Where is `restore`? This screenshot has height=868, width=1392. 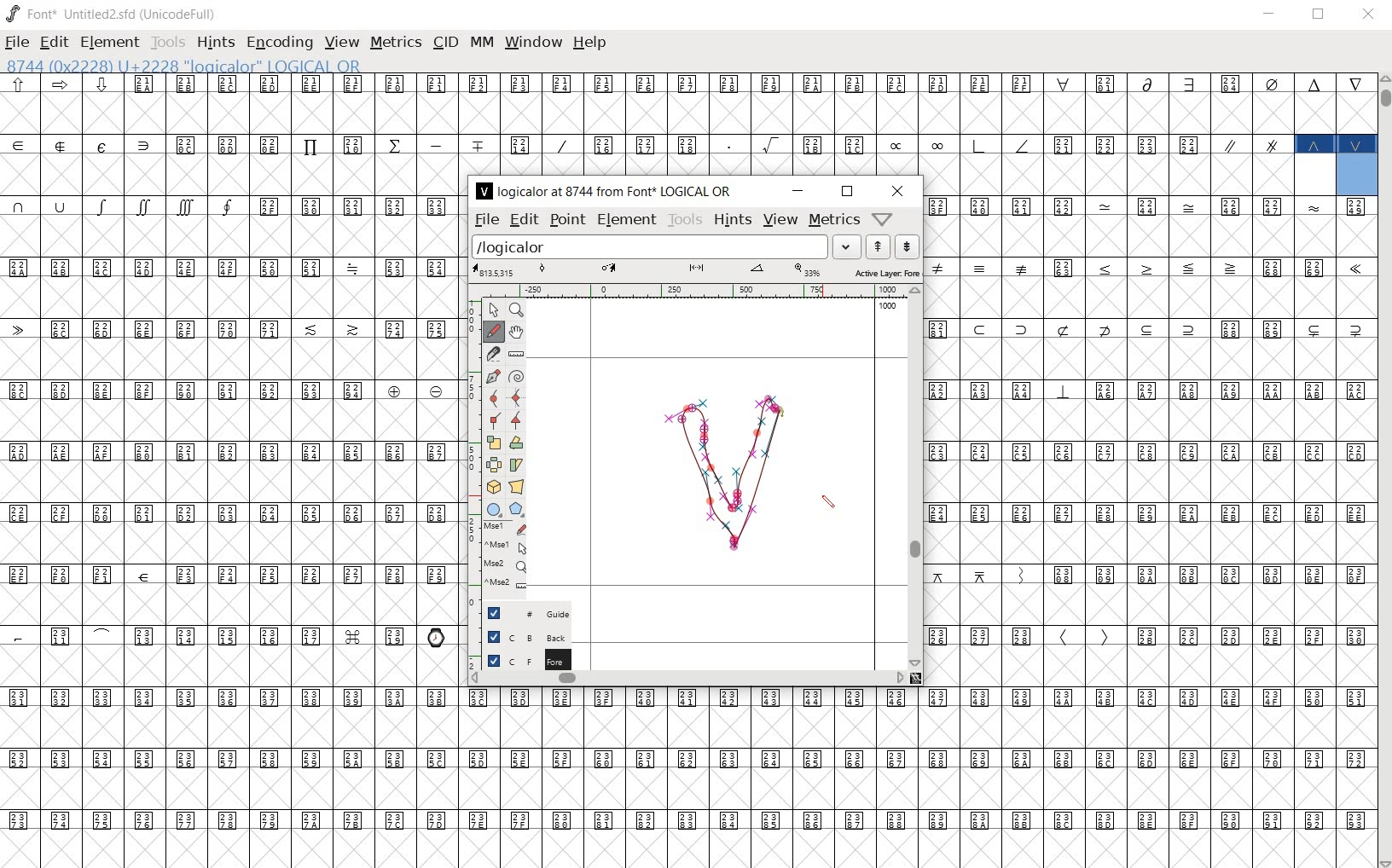 restore is located at coordinates (1319, 17).